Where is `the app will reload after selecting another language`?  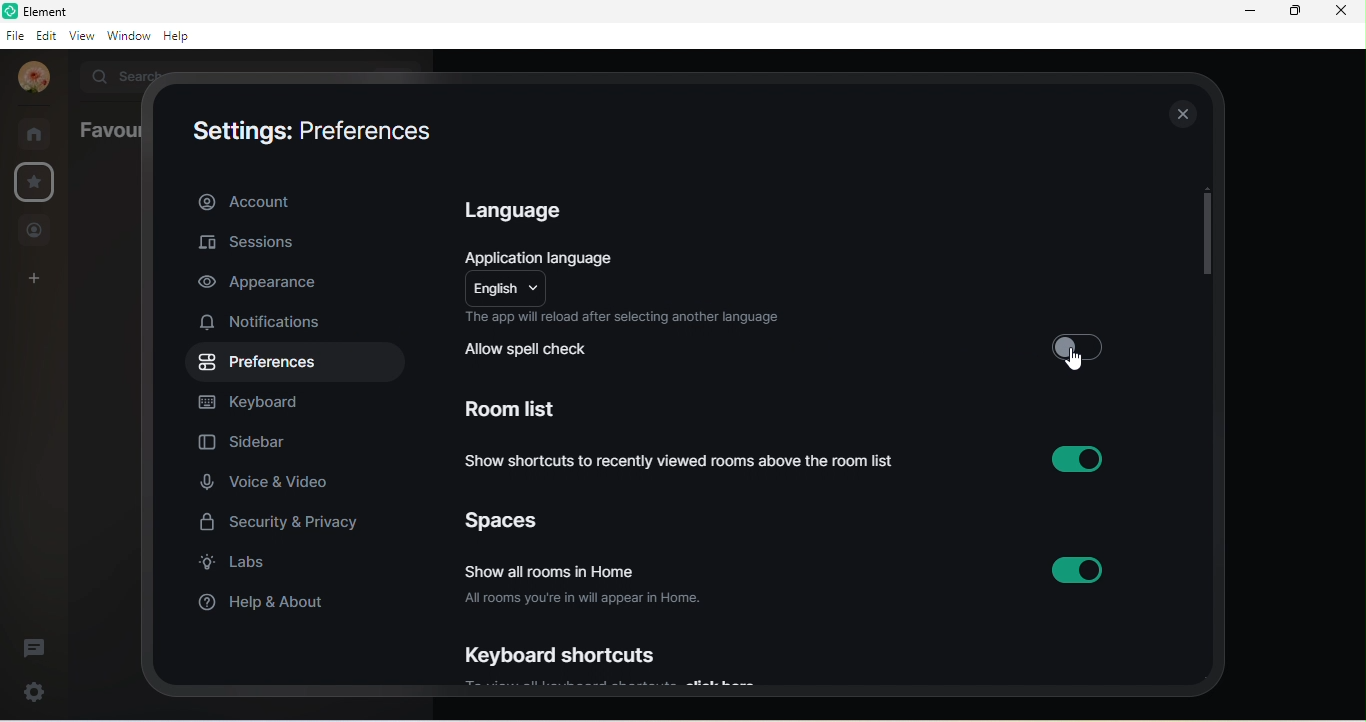
the app will reload after selecting another language is located at coordinates (631, 319).